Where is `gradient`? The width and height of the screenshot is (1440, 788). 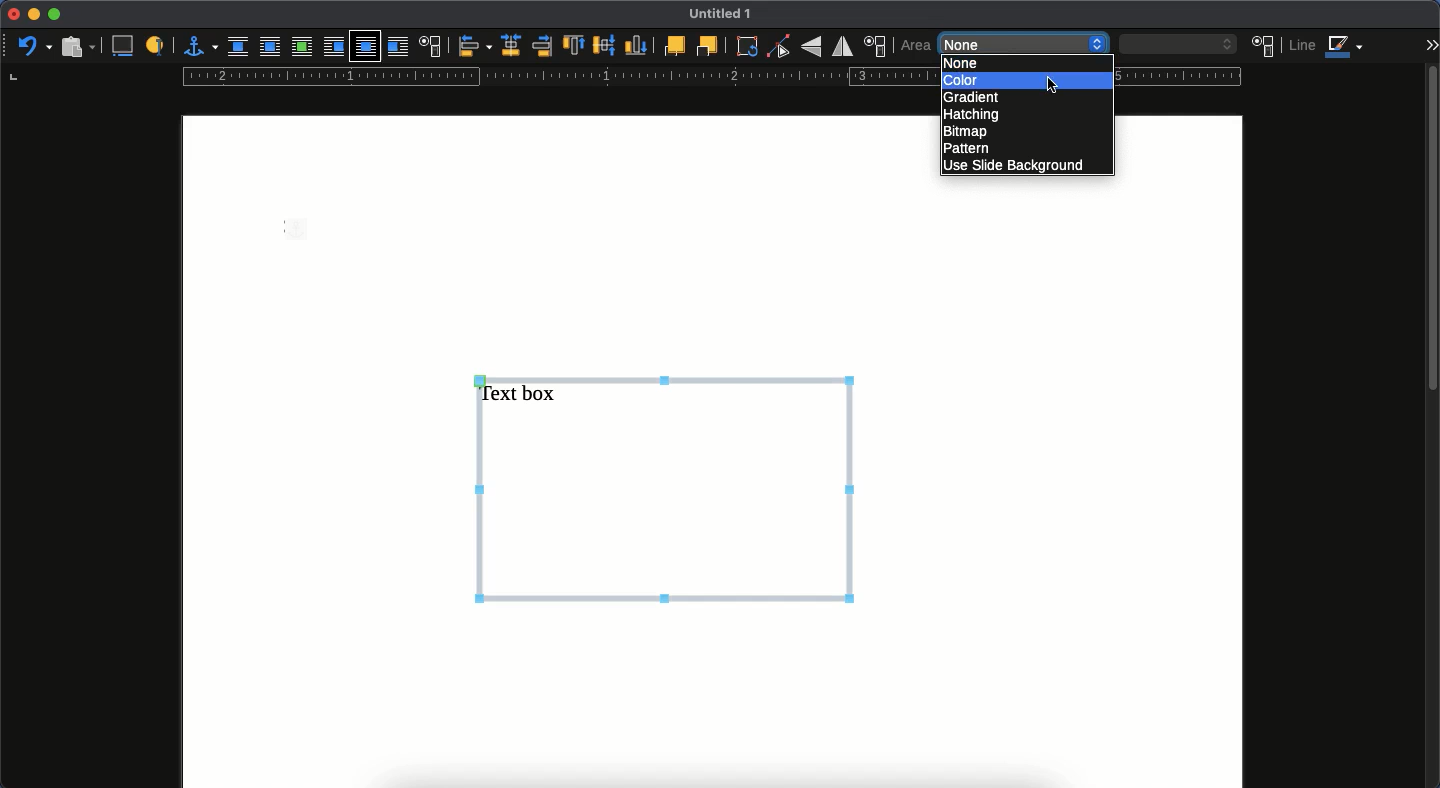 gradient is located at coordinates (973, 97).